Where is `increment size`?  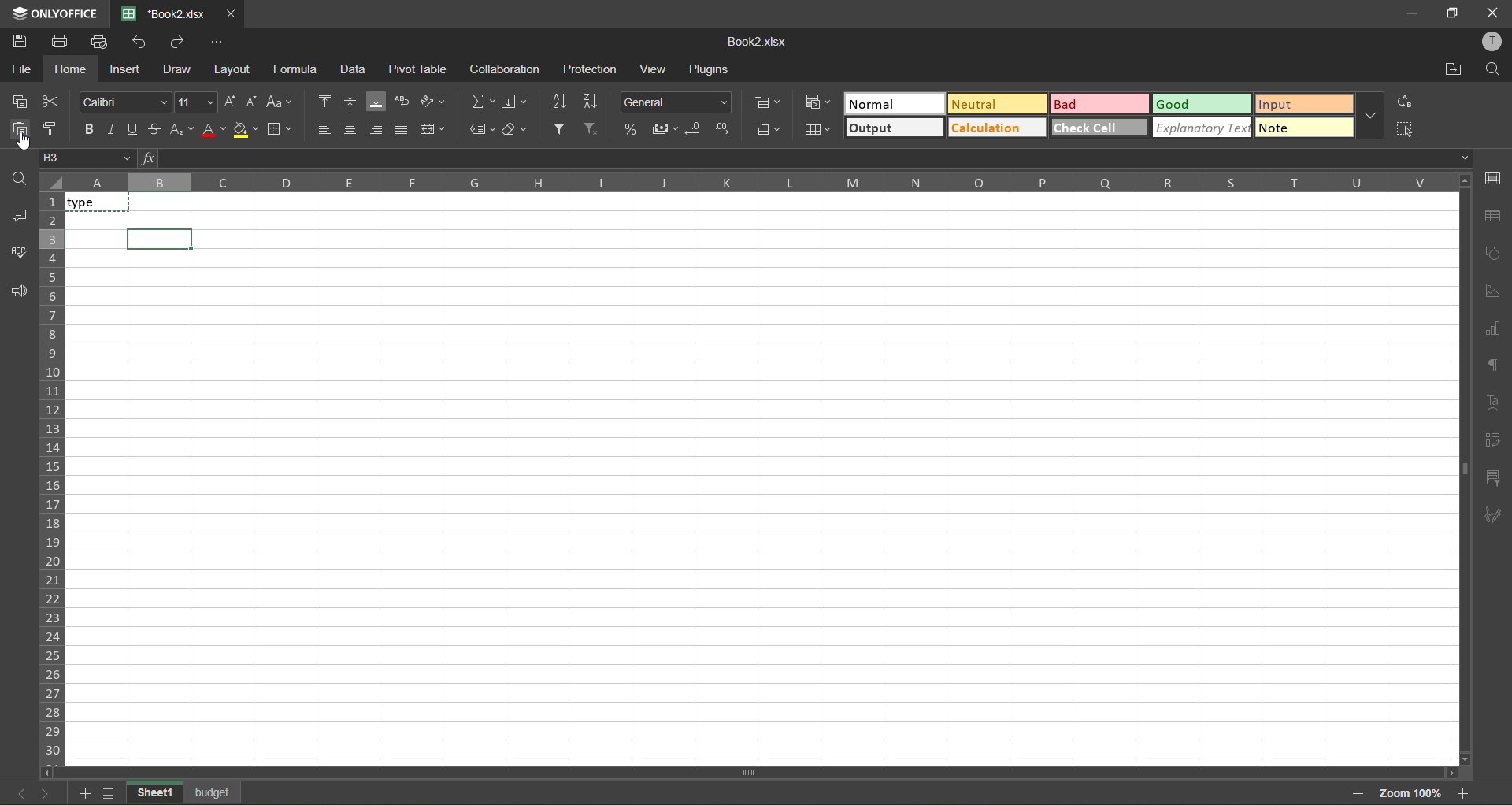 increment size is located at coordinates (231, 101).